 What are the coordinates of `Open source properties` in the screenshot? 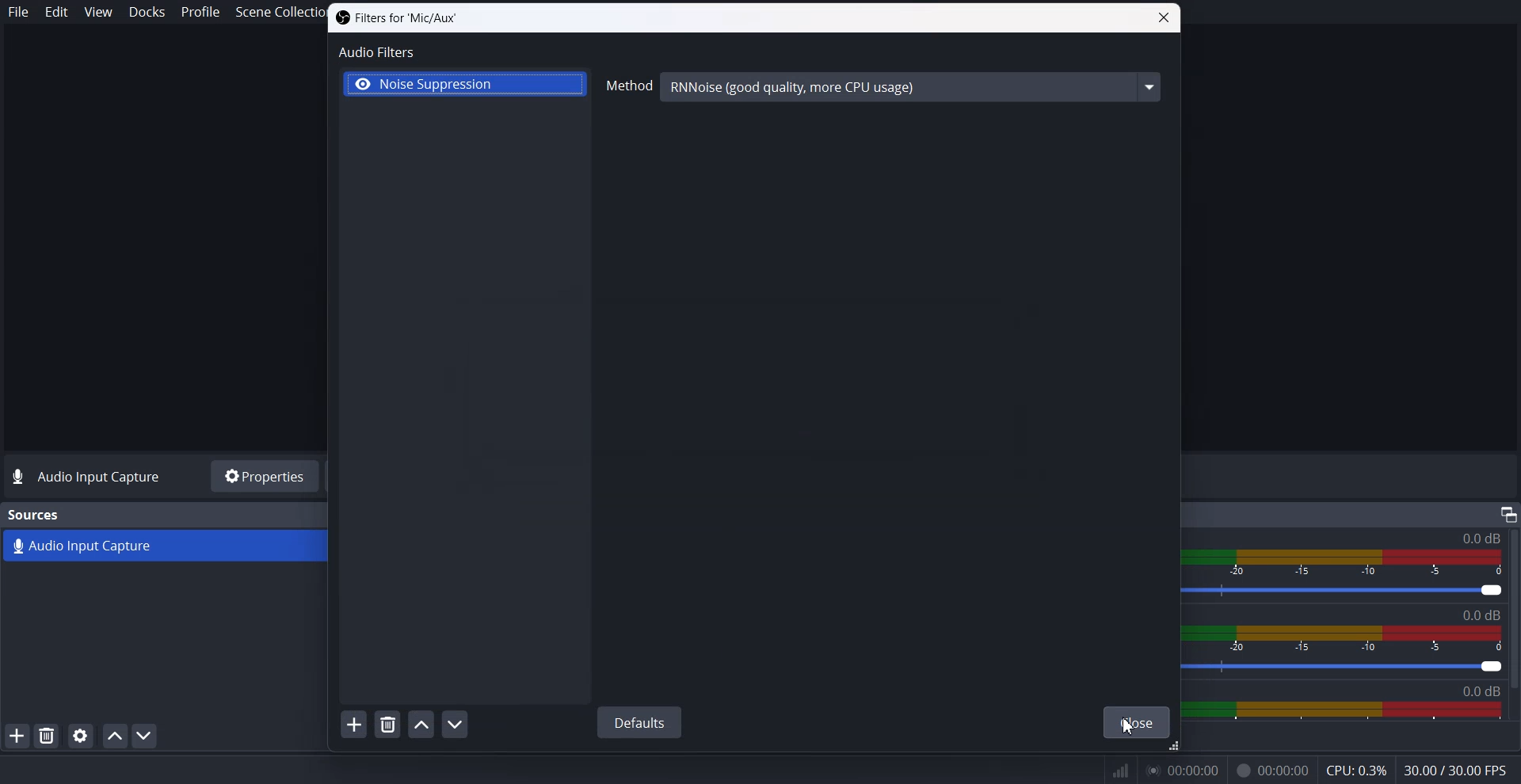 It's located at (79, 736).